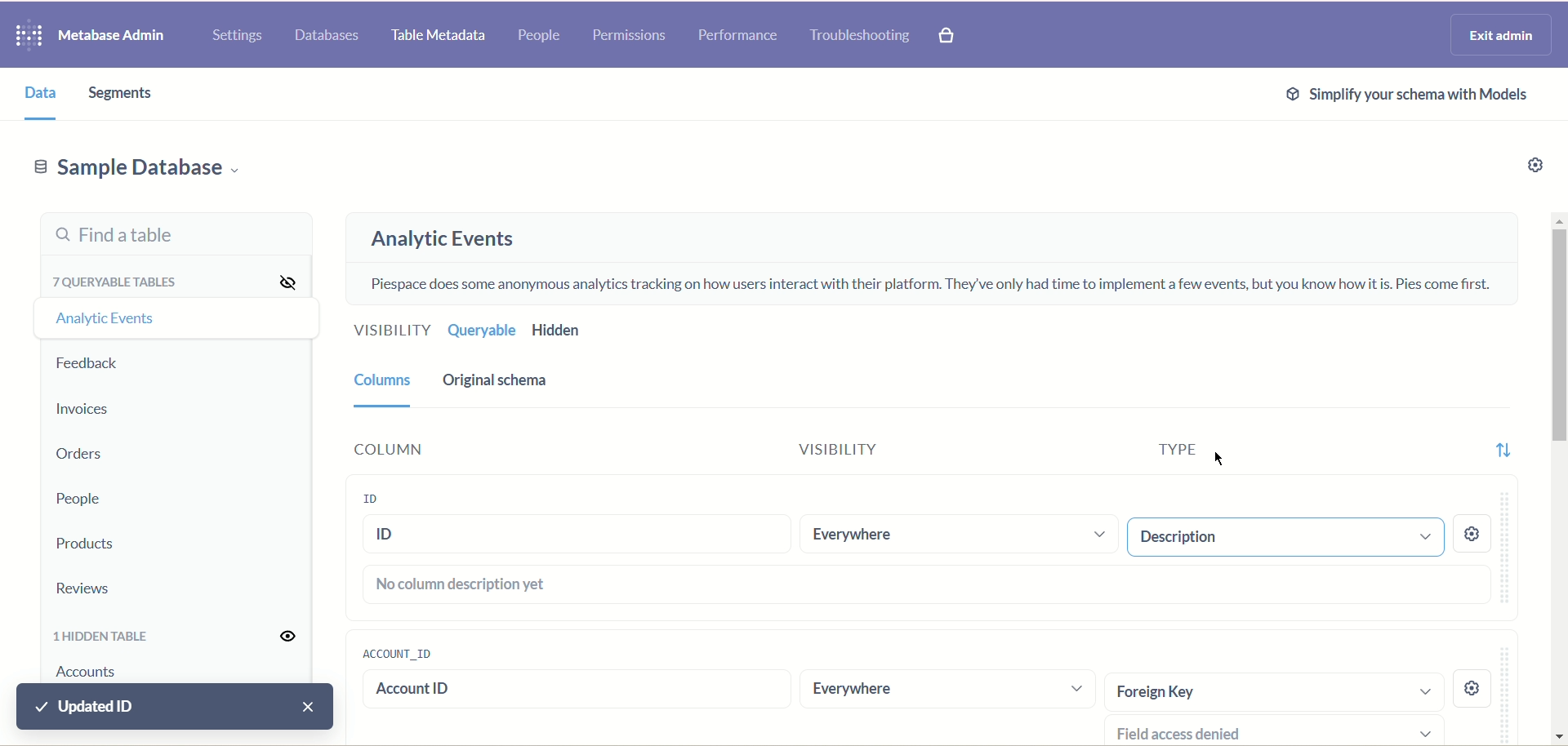  What do you see at coordinates (286, 280) in the screenshot?
I see `visibility` at bounding box center [286, 280].